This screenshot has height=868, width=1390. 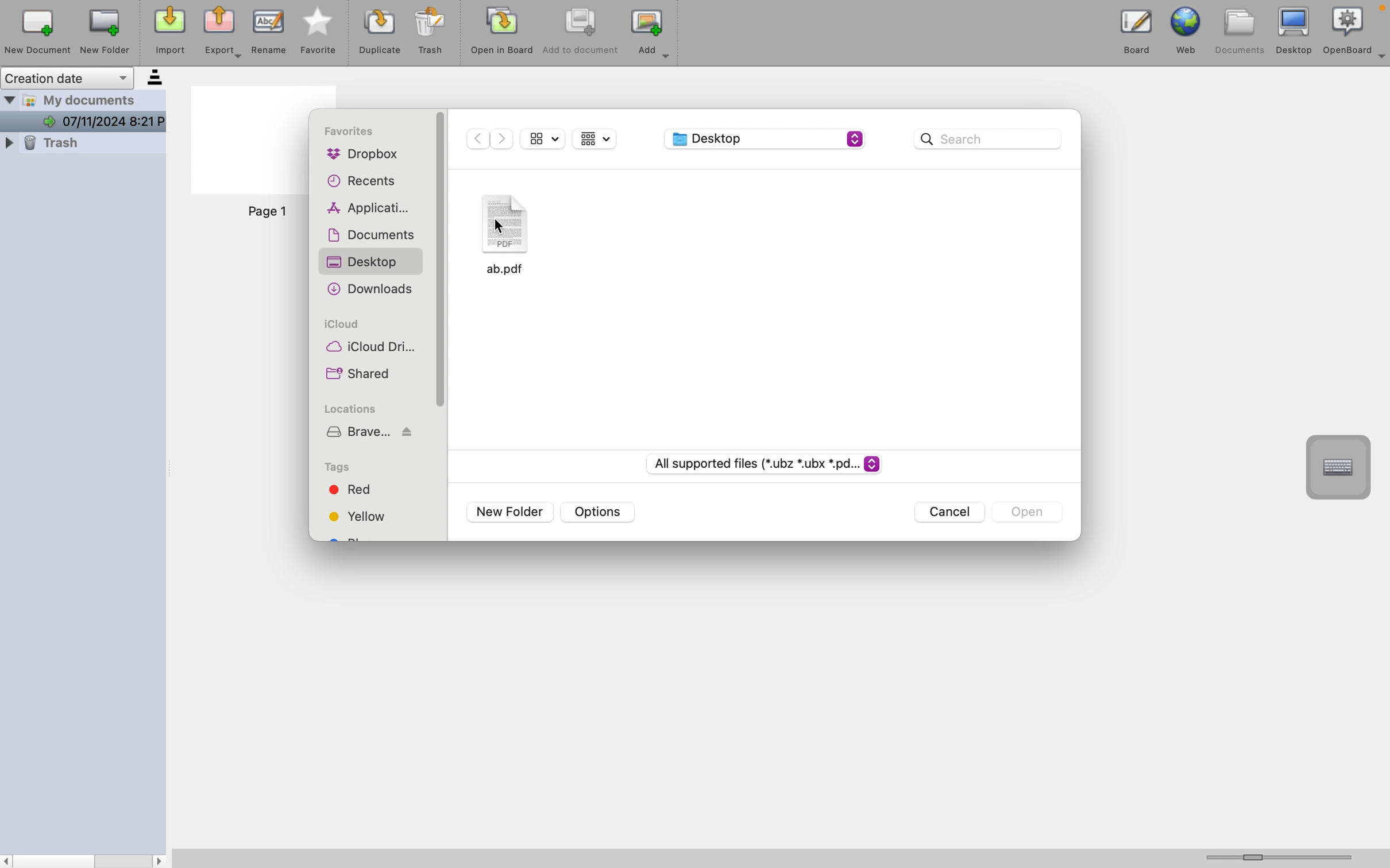 I want to click on brave, so click(x=370, y=432).